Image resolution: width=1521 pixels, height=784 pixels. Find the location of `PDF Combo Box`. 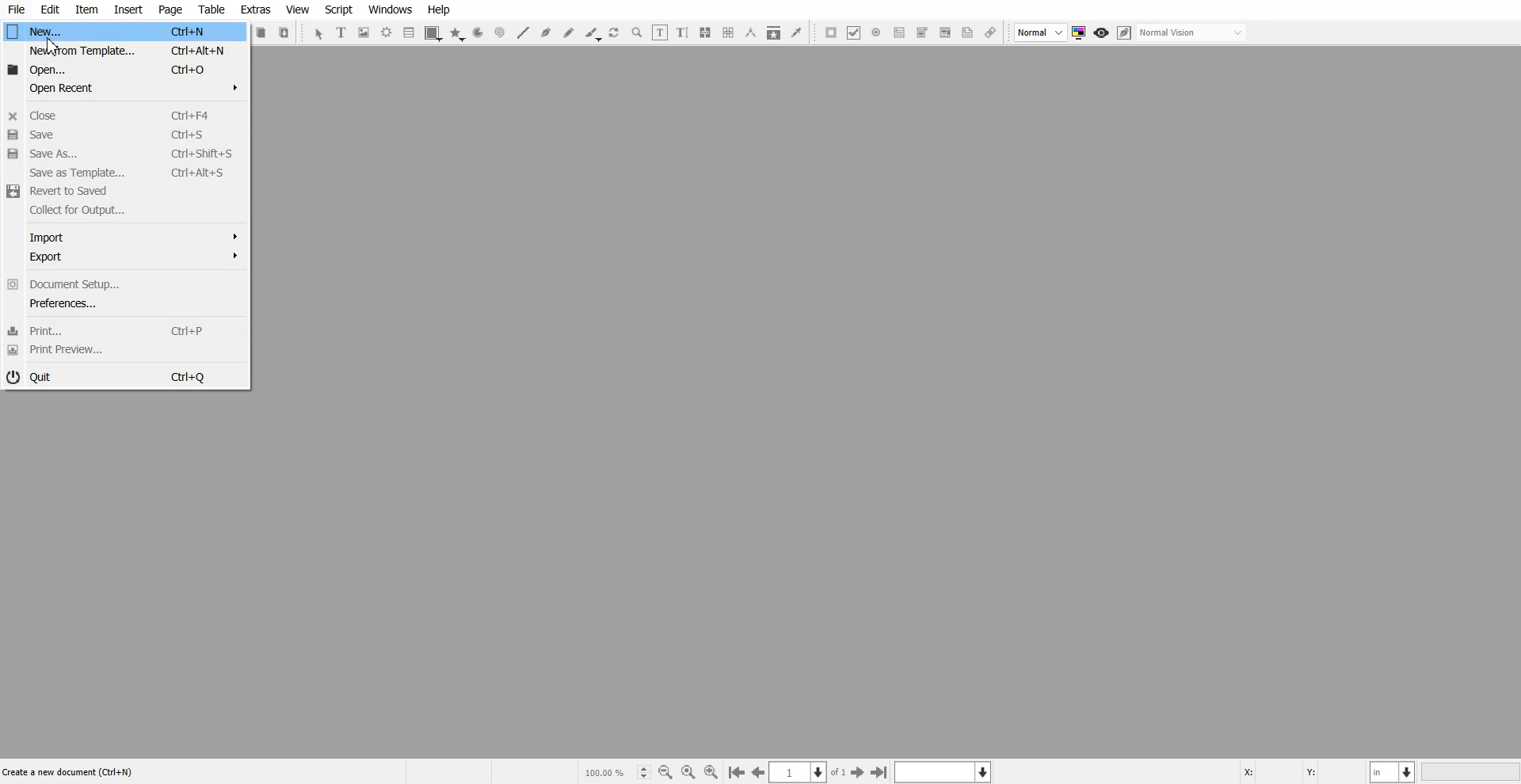

PDF Combo Box is located at coordinates (921, 32).